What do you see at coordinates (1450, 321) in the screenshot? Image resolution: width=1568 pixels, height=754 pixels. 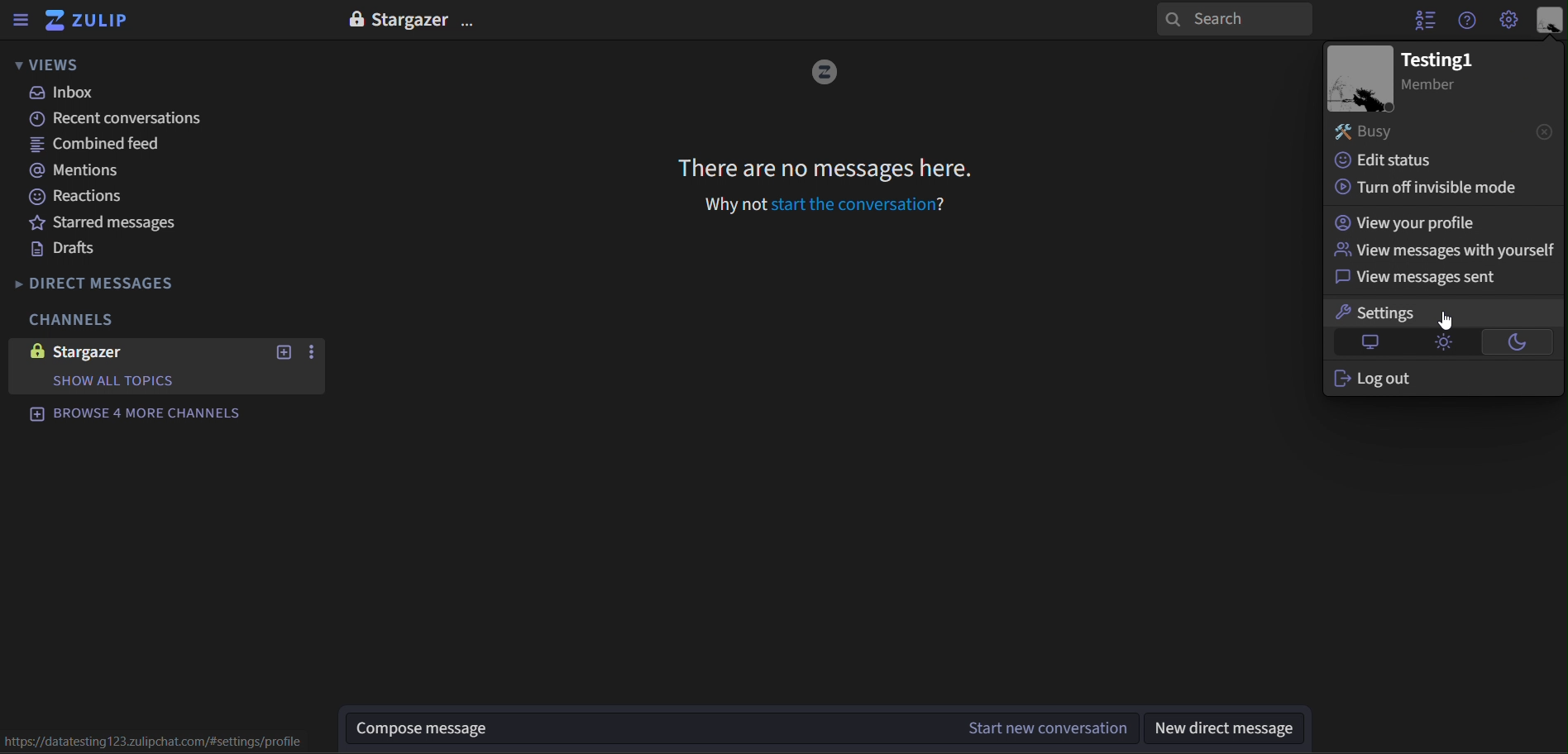 I see `cursor` at bounding box center [1450, 321].